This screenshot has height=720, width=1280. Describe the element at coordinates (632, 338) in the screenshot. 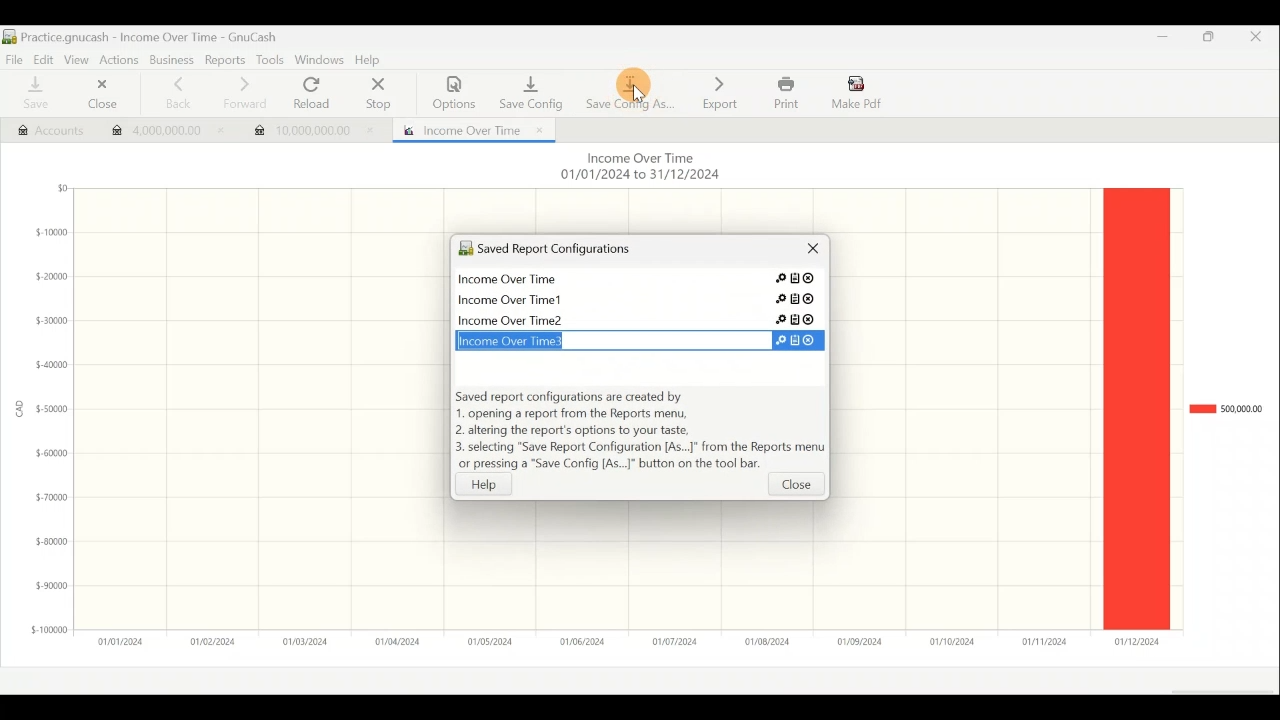

I see `Report 4` at that location.